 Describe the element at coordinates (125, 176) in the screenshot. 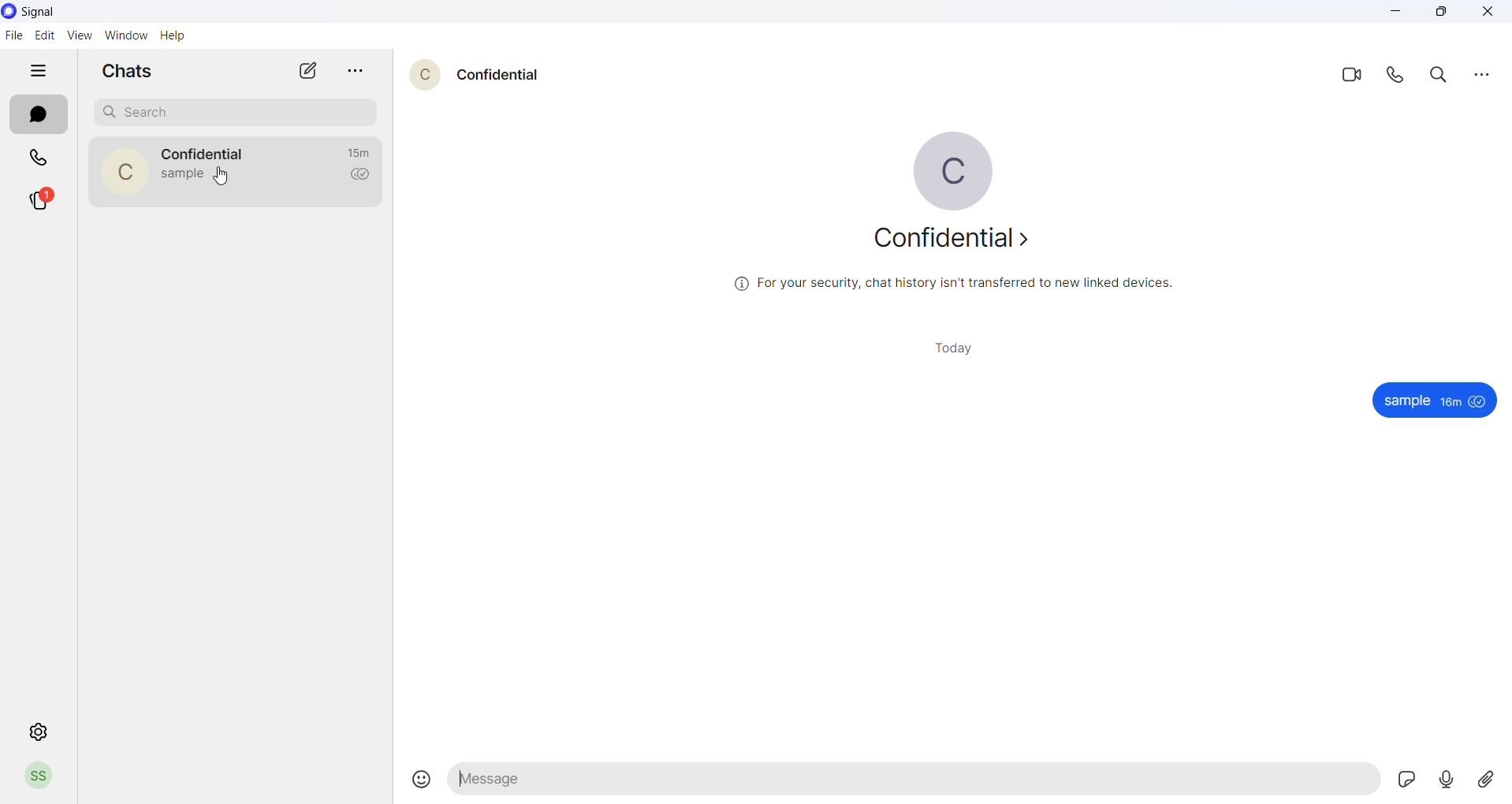

I see `C` at that location.